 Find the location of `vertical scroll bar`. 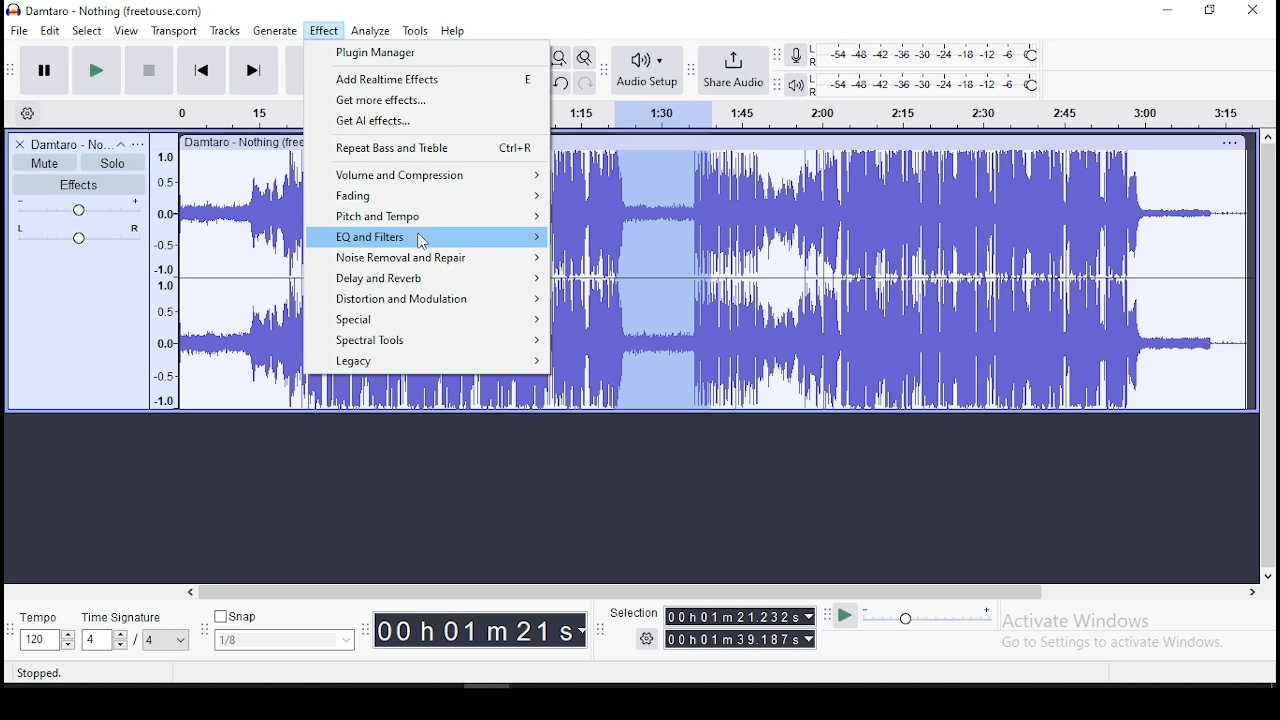

vertical scroll bar is located at coordinates (1271, 353).